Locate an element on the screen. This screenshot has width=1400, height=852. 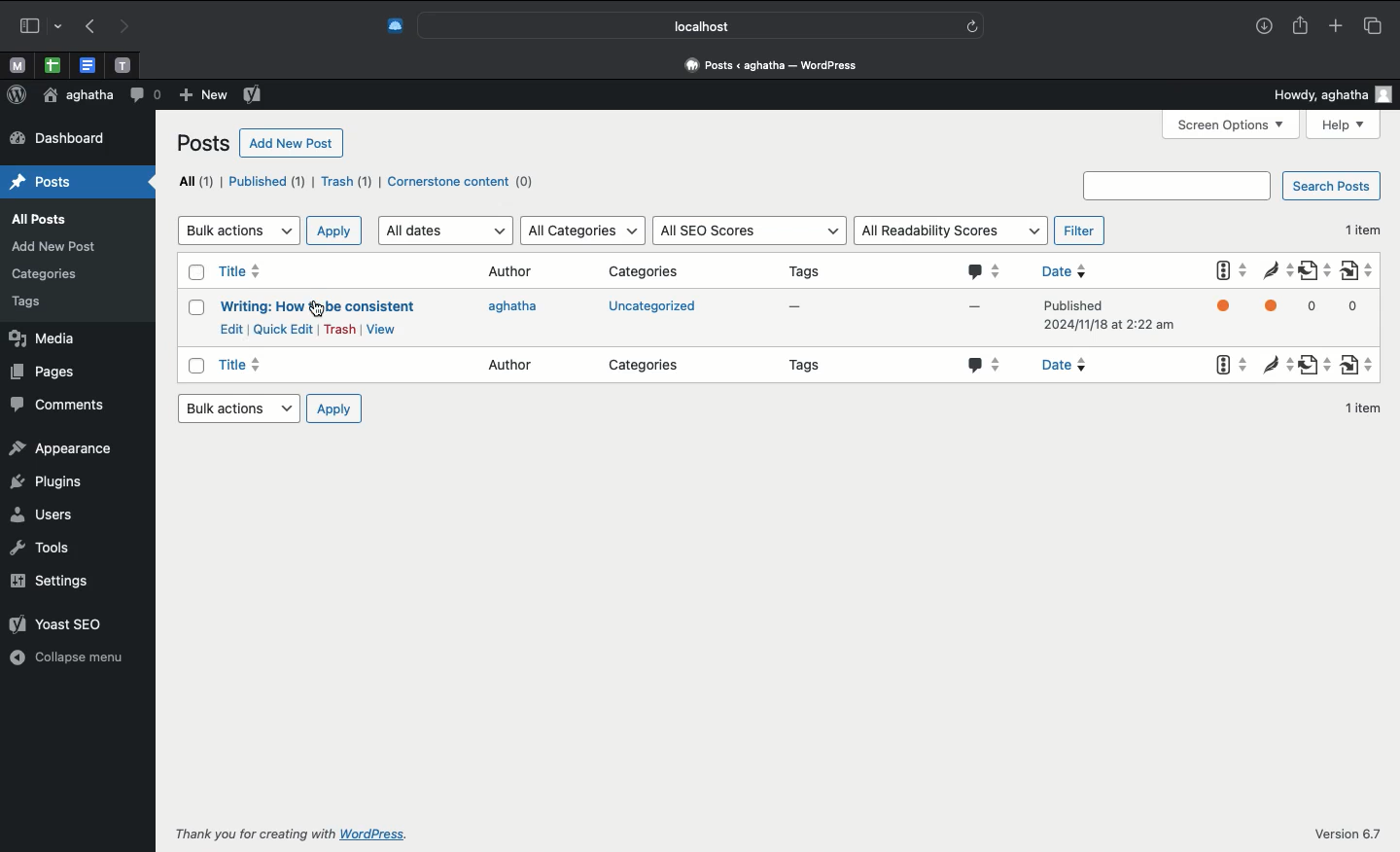
Internal links is located at coordinates (1363, 269).